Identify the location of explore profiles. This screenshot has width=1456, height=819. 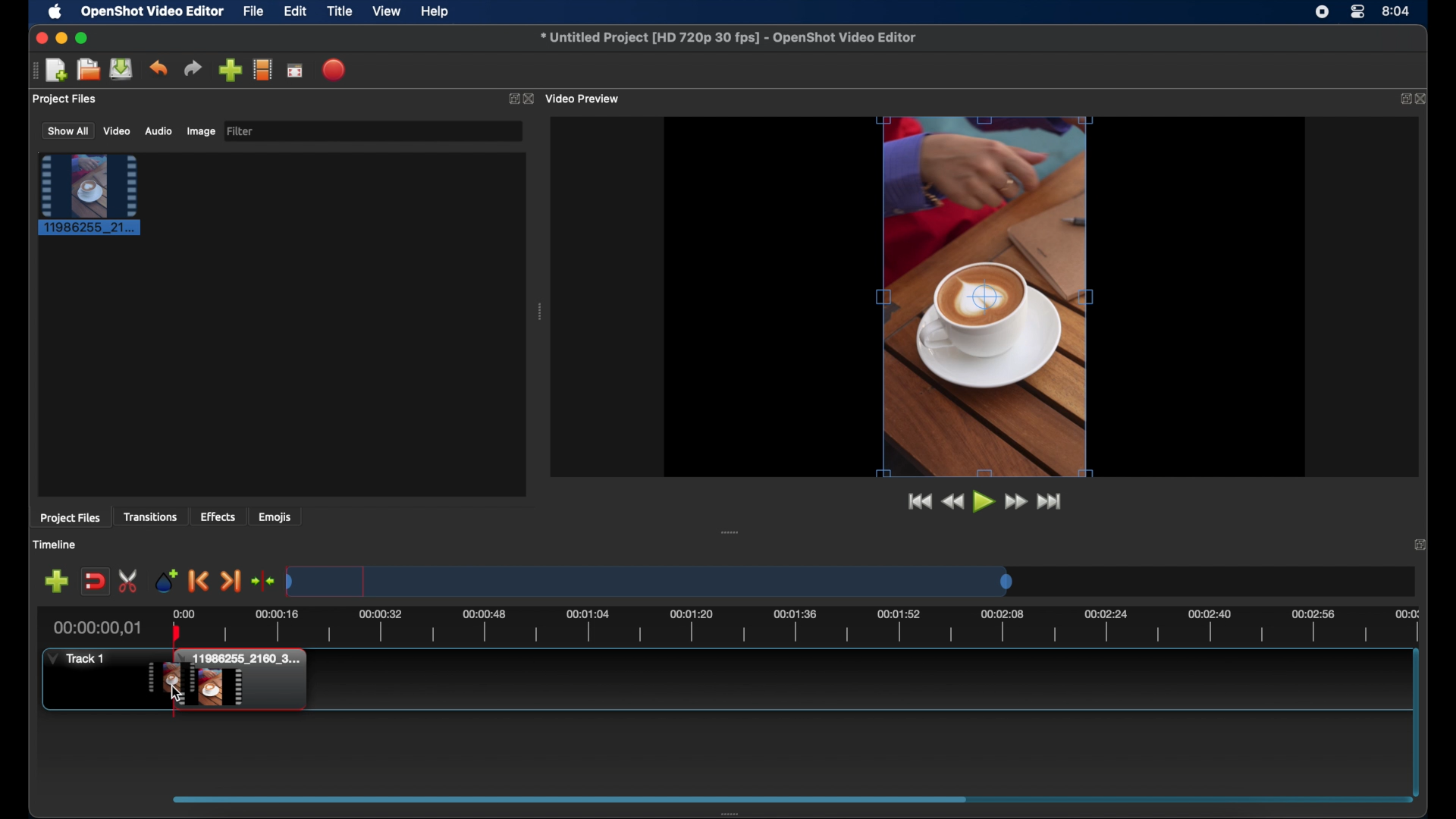
(262, 71).